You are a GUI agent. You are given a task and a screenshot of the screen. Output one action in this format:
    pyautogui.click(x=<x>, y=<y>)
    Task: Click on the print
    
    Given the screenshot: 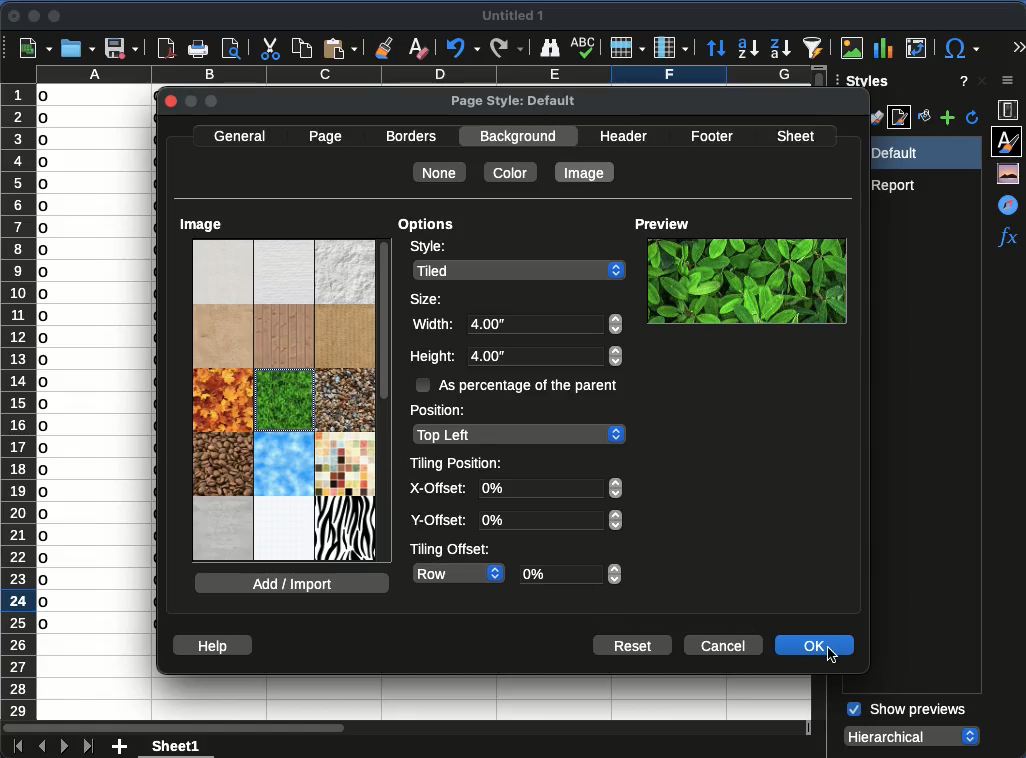 What is the action you would take?
    pyautogui.click(x=198, y=49)
    